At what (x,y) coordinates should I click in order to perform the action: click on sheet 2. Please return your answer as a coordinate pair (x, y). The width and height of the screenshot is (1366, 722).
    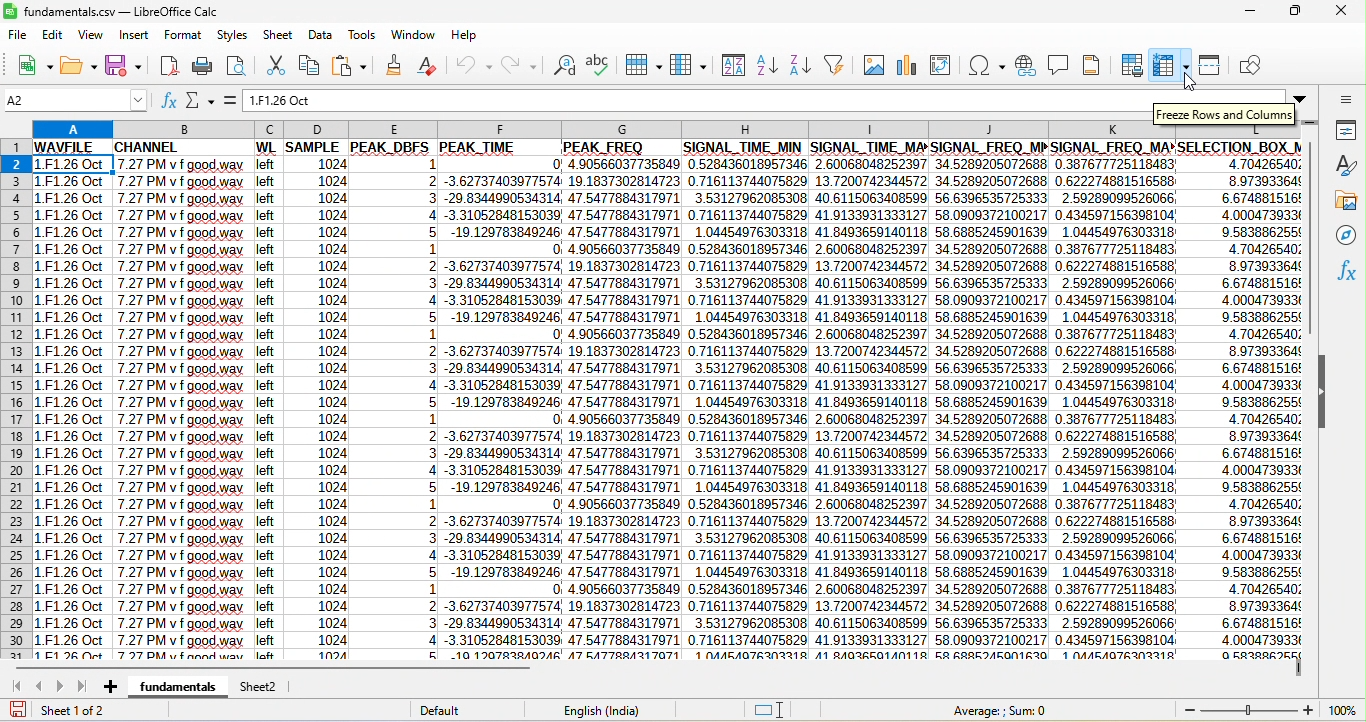
    Looking at the image, I should click on (266, 686).